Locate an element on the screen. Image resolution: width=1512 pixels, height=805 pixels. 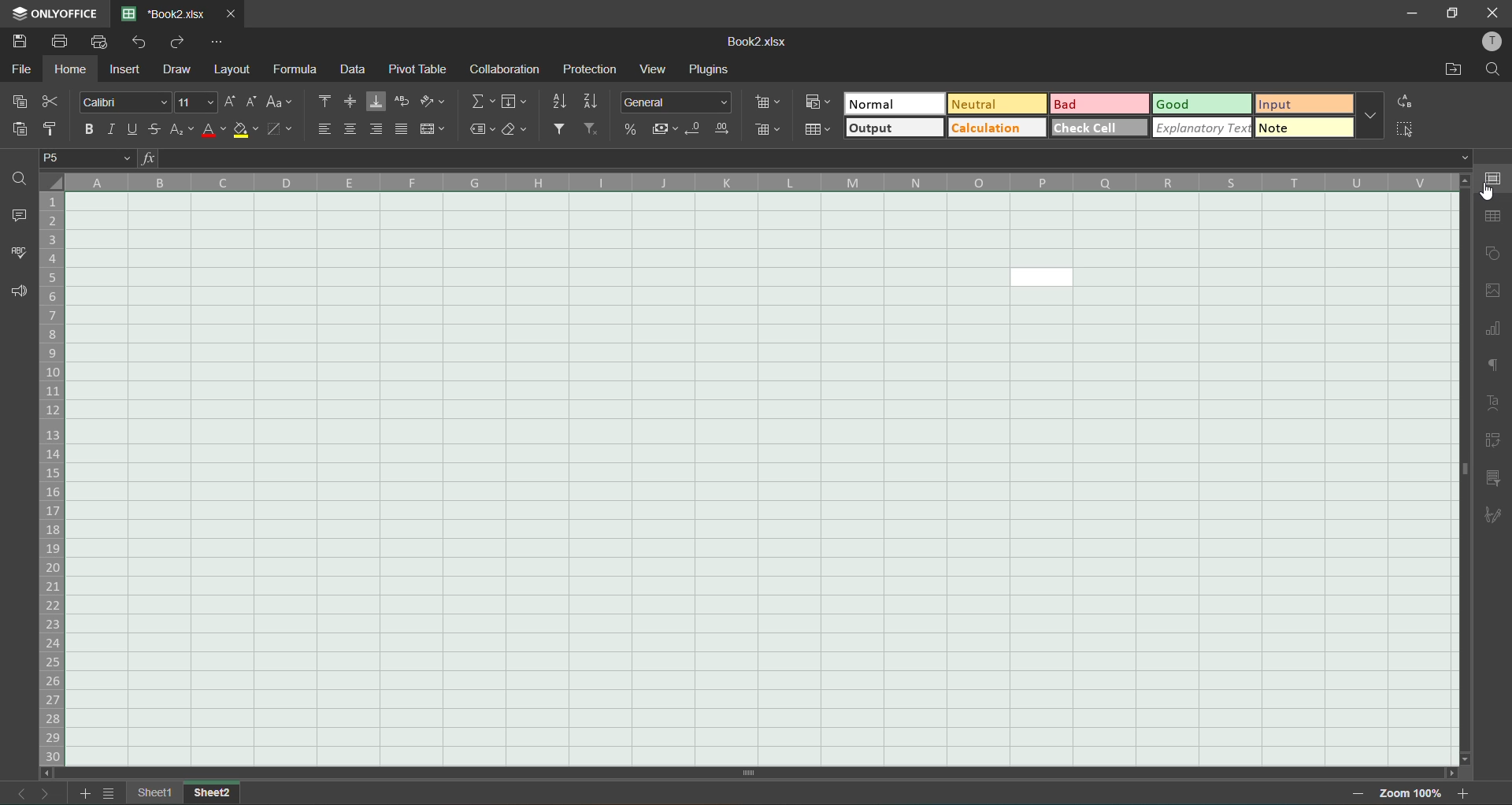
merge and center is located at coordinates (434, 130).